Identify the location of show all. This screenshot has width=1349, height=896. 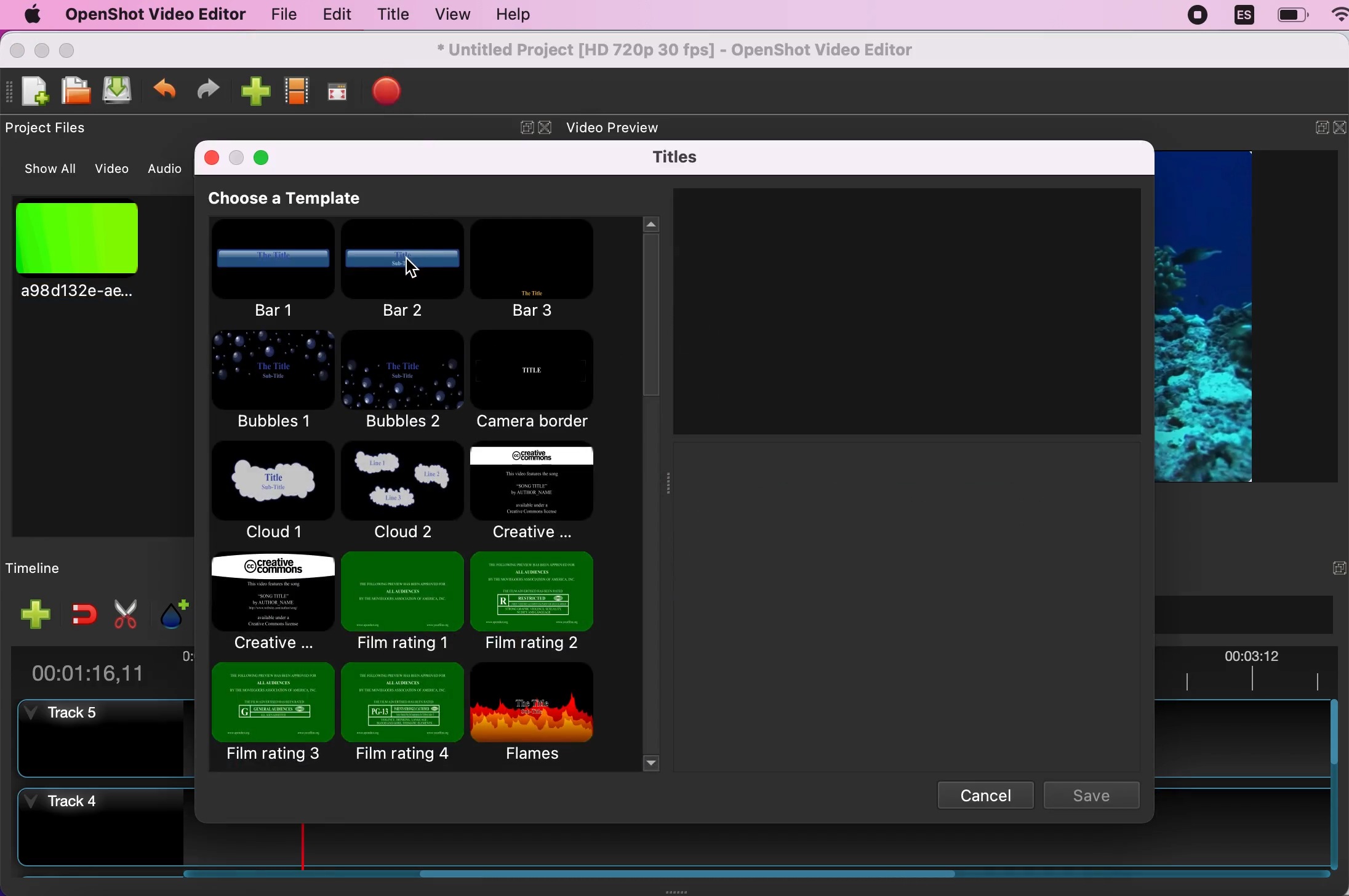
(44, 169).